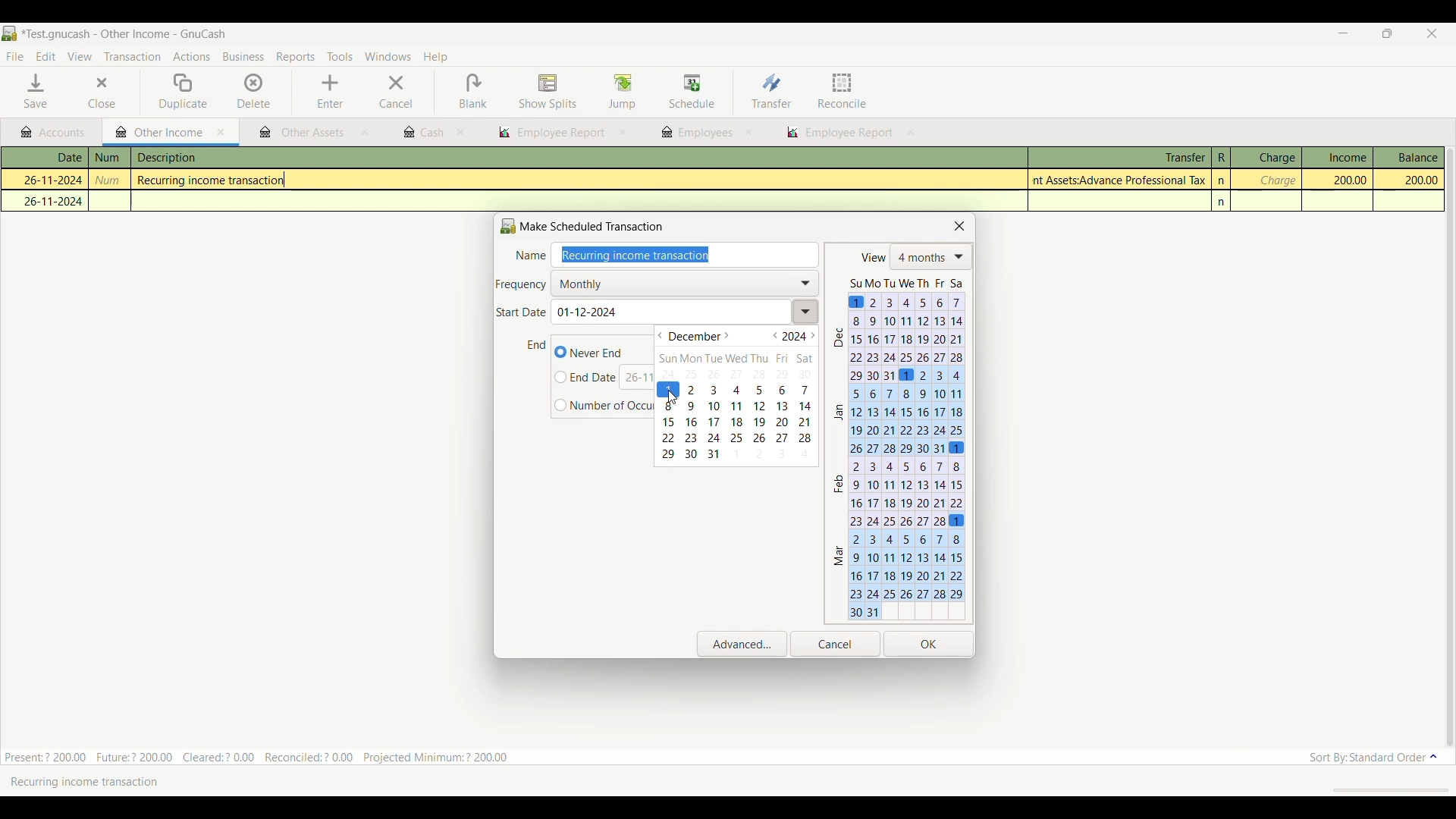  What do you see at coordinates (1122, 180) in the screenshot?
I see `Assets:Advance Professional Tax` at bounding box center [1122, 180].